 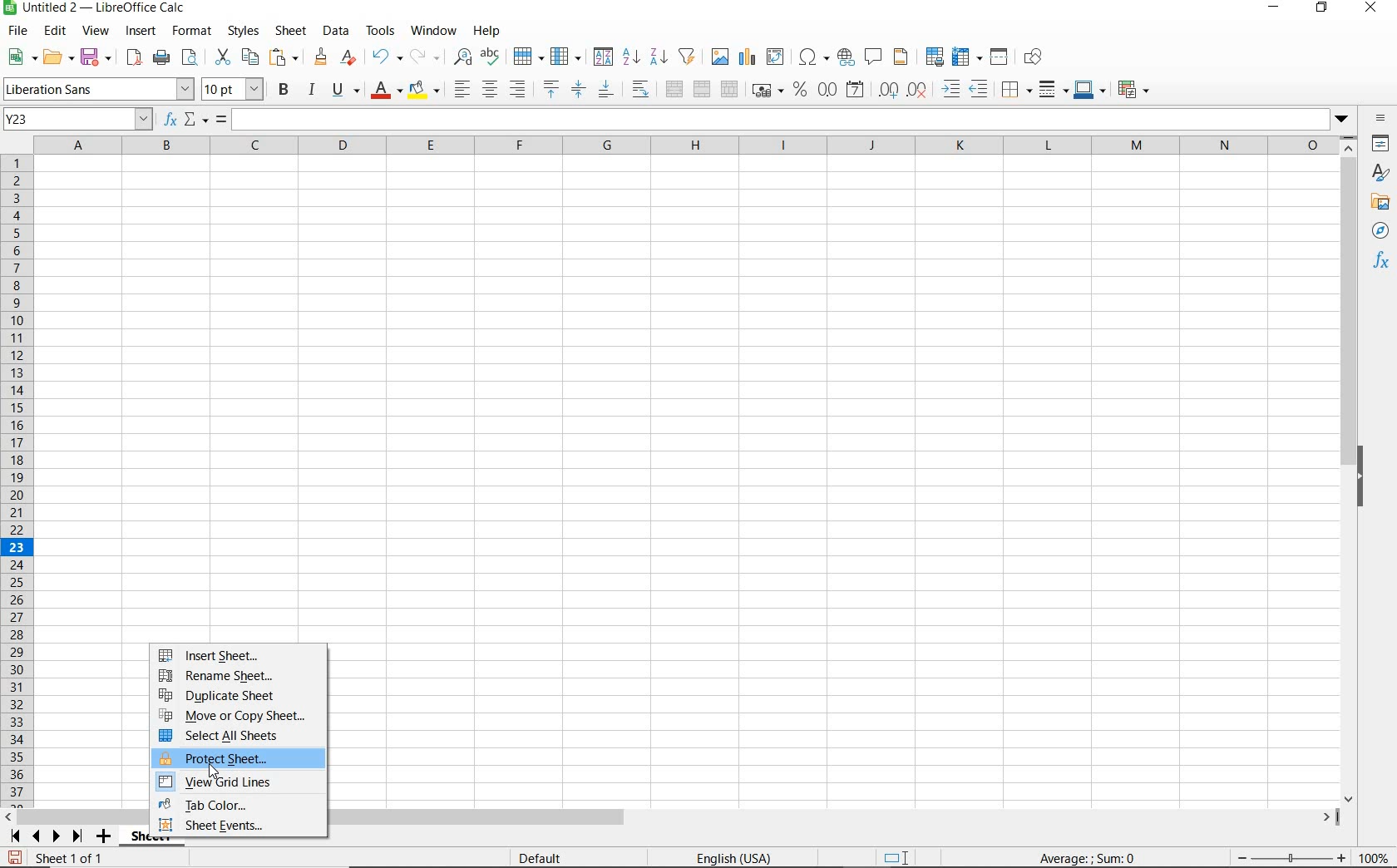 What do you see at coordinates (1283, 856) in the screenshot?
I see `zoom in or zoom out` at bounding box center [1283, 856].